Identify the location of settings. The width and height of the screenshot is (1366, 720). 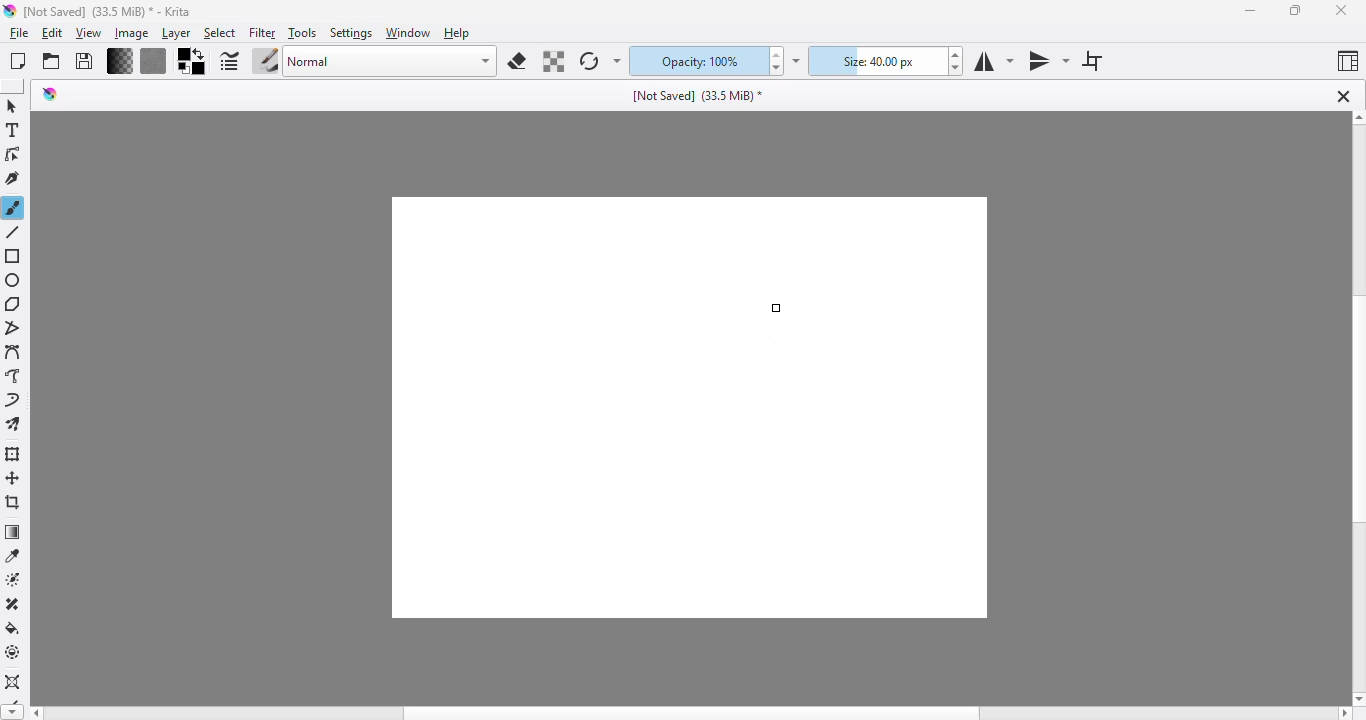
(352, 33).